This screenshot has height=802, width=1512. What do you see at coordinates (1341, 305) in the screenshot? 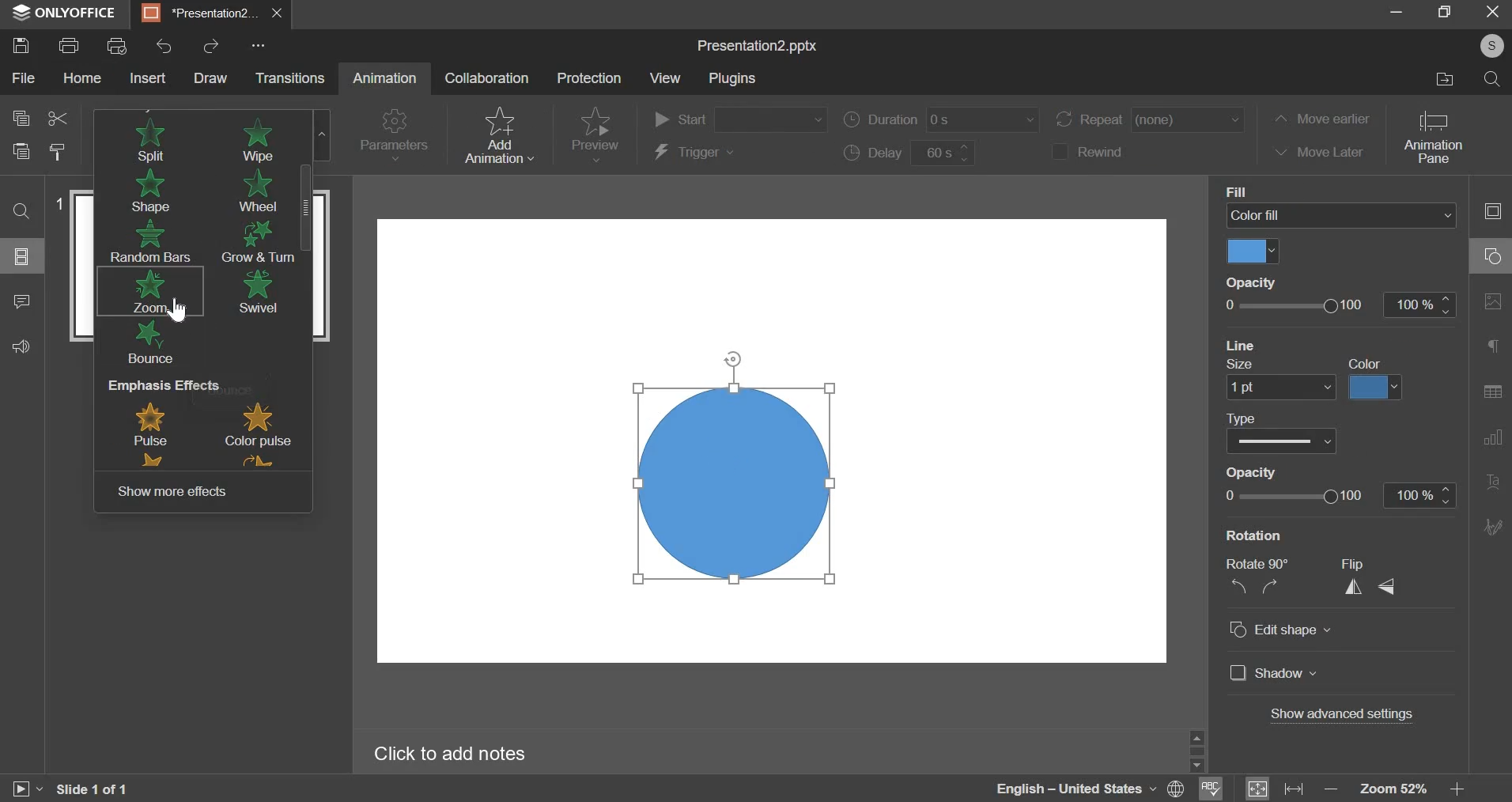
I see `opacity` at bounding box center [1341, 305].